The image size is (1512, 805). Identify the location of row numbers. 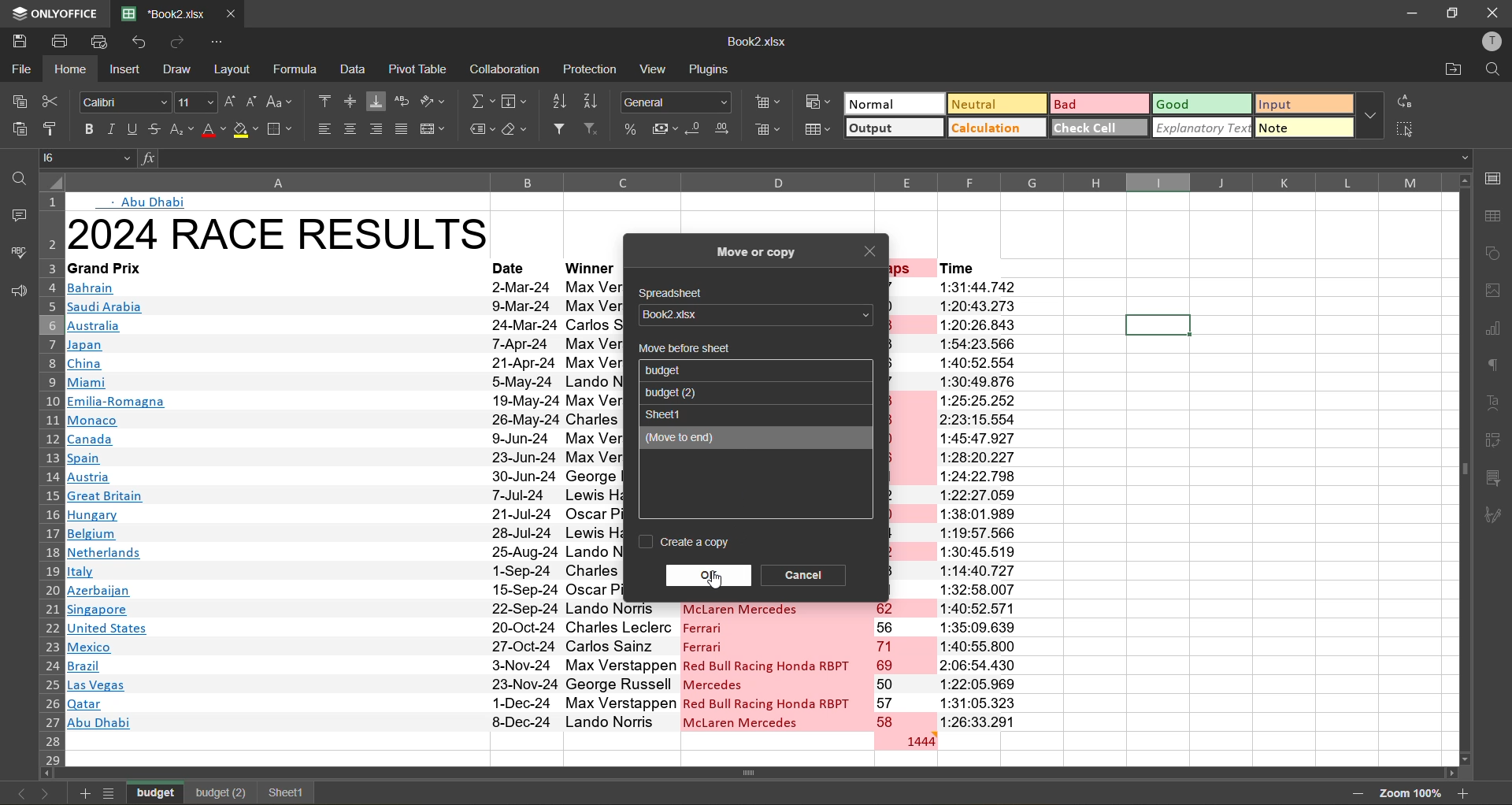
(49, 484).